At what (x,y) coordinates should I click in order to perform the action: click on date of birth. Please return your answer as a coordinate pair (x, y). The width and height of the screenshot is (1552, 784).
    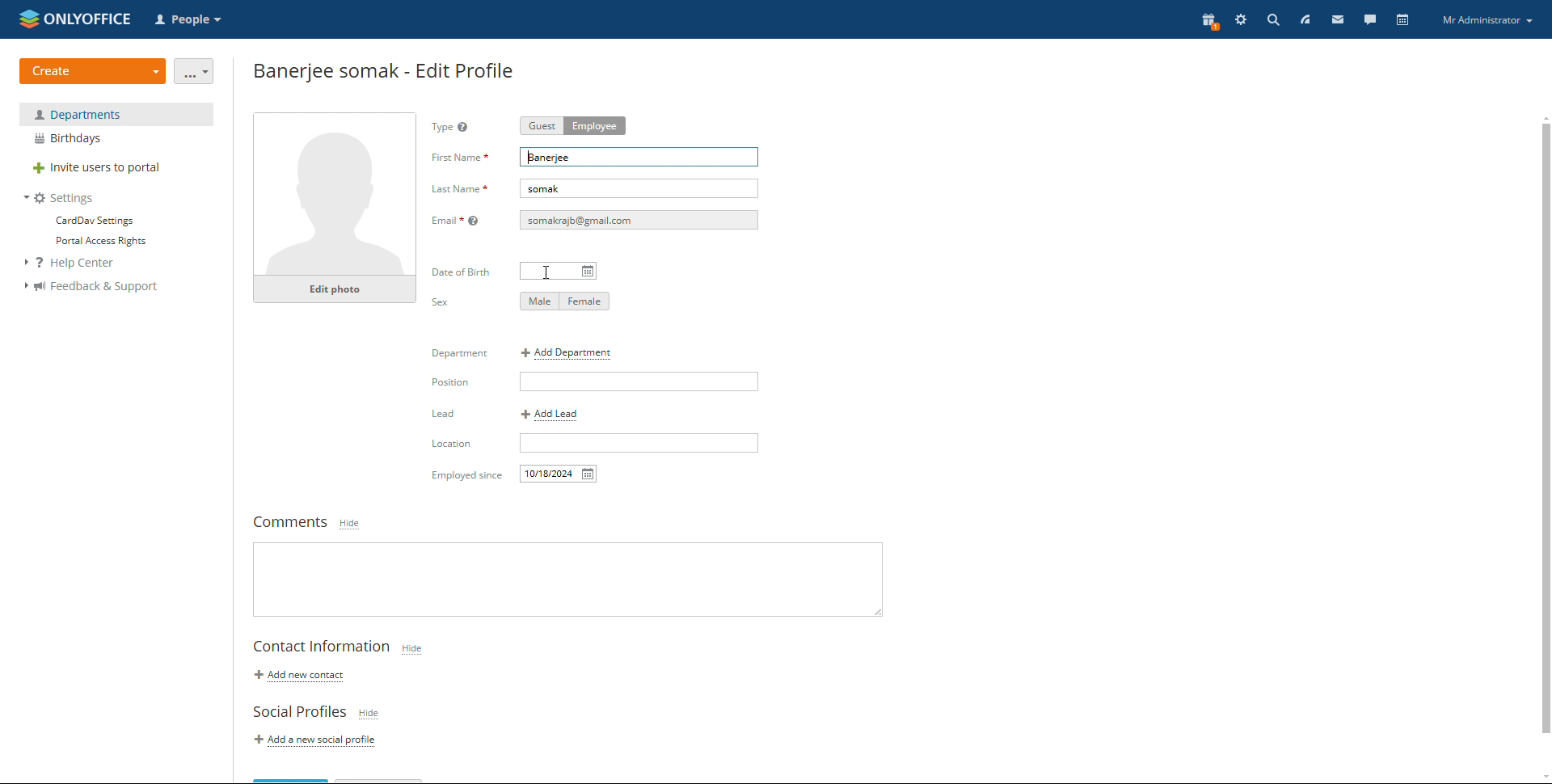
    Looking at the image, I should click on (559, 272).